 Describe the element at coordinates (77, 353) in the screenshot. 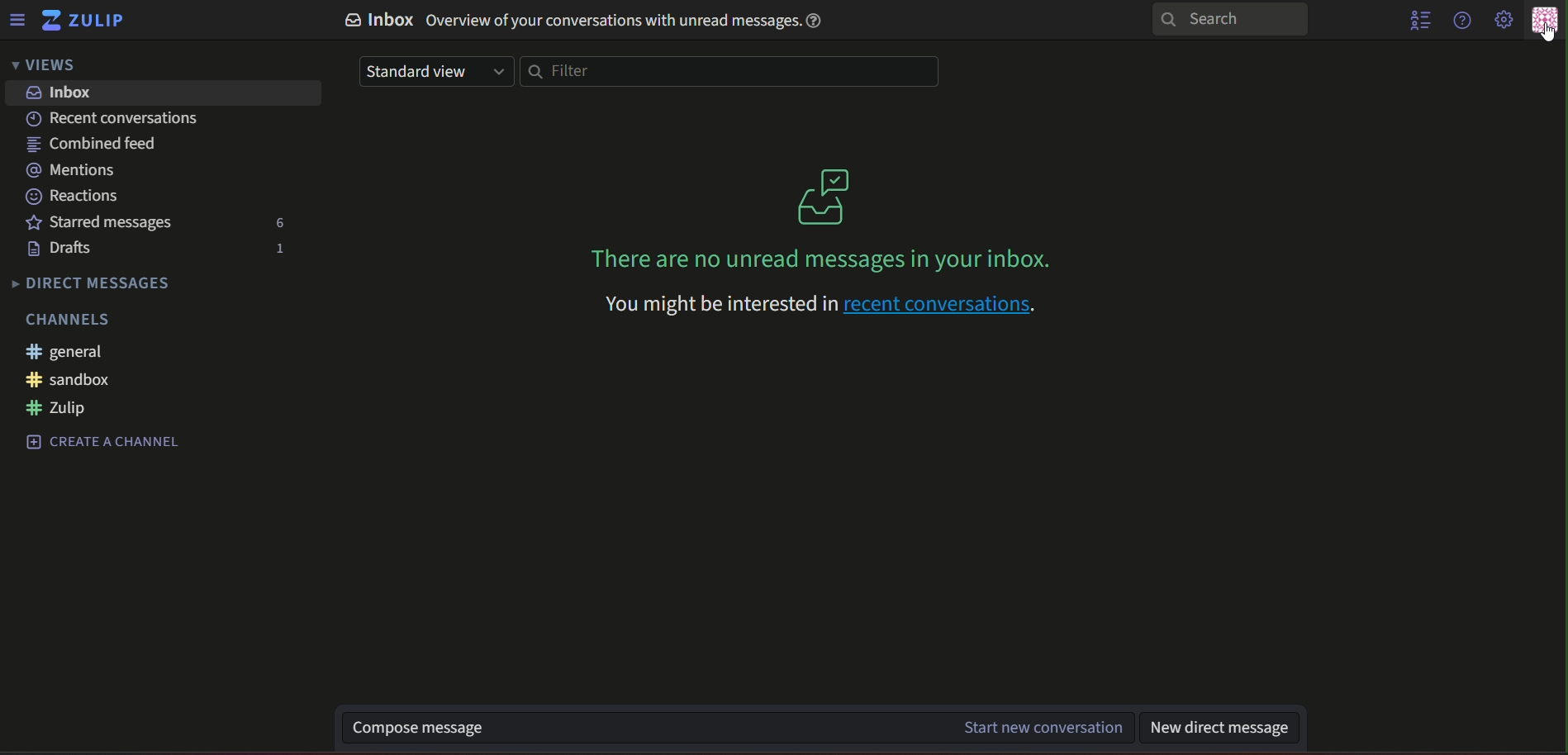

I see `#general` at that location.